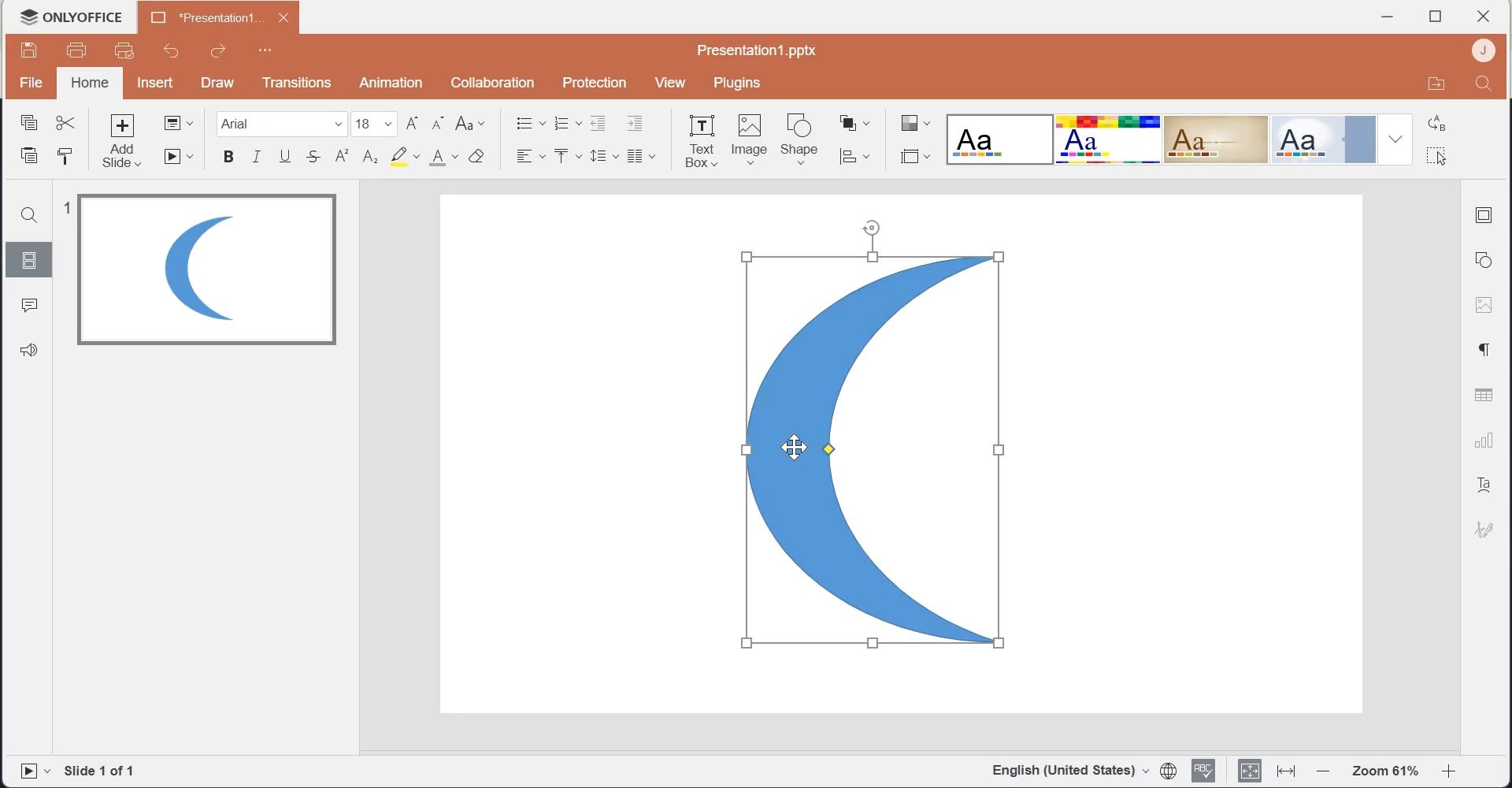 Image resolution: width=1512 pixels, height=788 pixels. I want to click on Zoom 61%, so click(1384, 771).